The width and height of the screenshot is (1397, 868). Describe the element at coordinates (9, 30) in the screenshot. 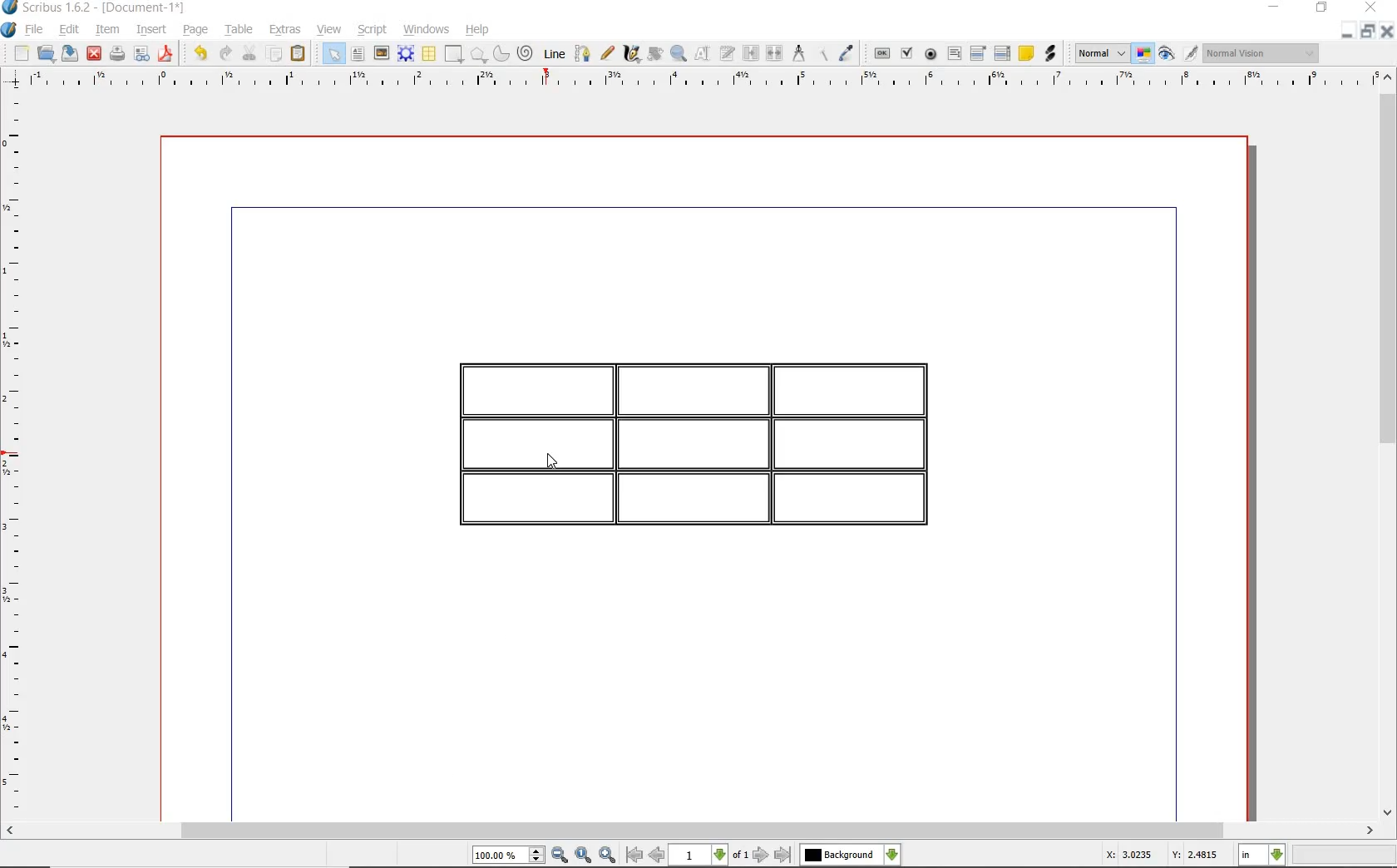

I see `system logo` at that location.